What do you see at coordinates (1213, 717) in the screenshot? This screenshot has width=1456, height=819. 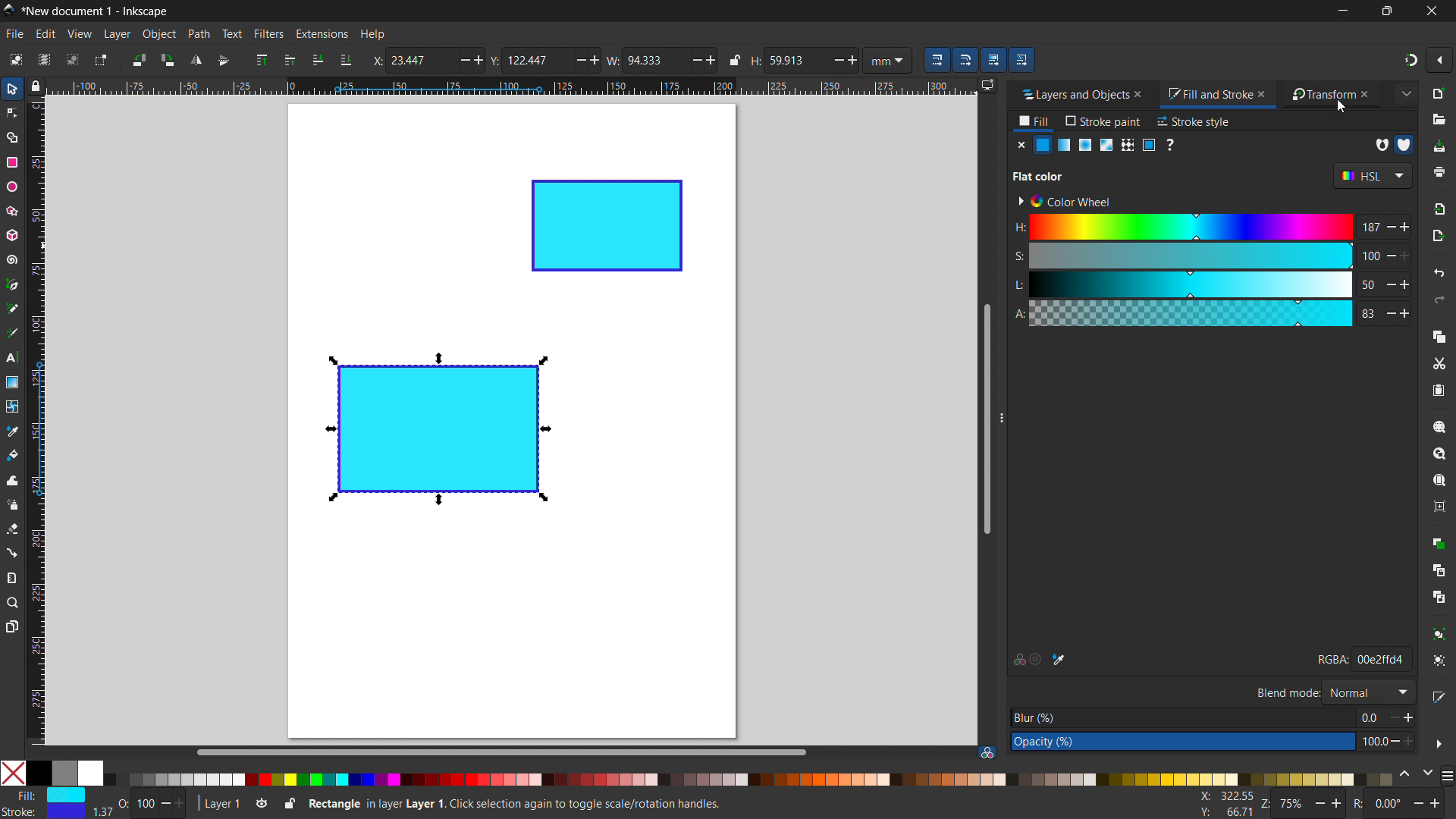 I see `blur(%): 0.0` at bounding box center [1213, 717].